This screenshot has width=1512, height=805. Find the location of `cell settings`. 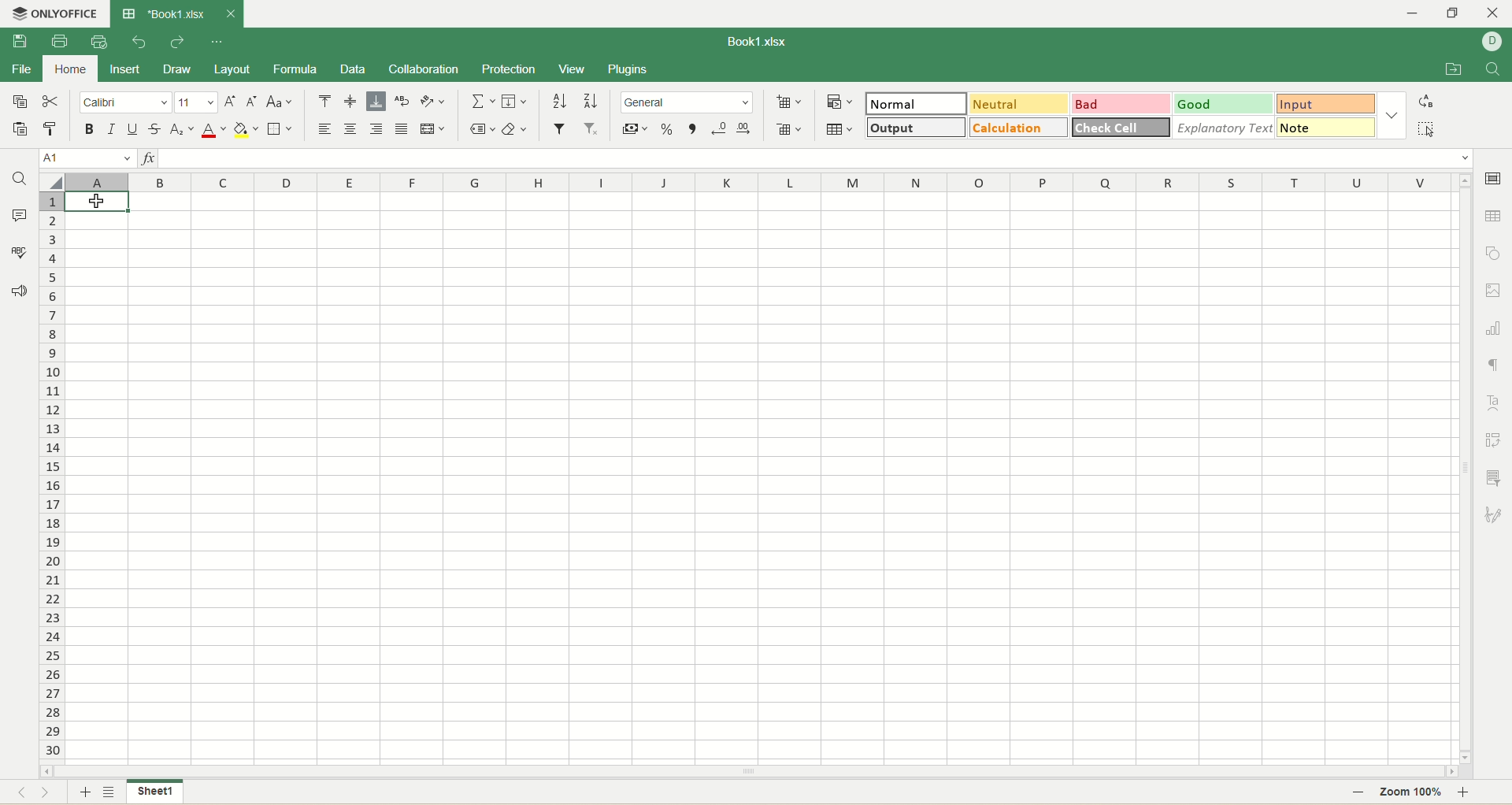

cell settings is located at coordinates (1496, 179).